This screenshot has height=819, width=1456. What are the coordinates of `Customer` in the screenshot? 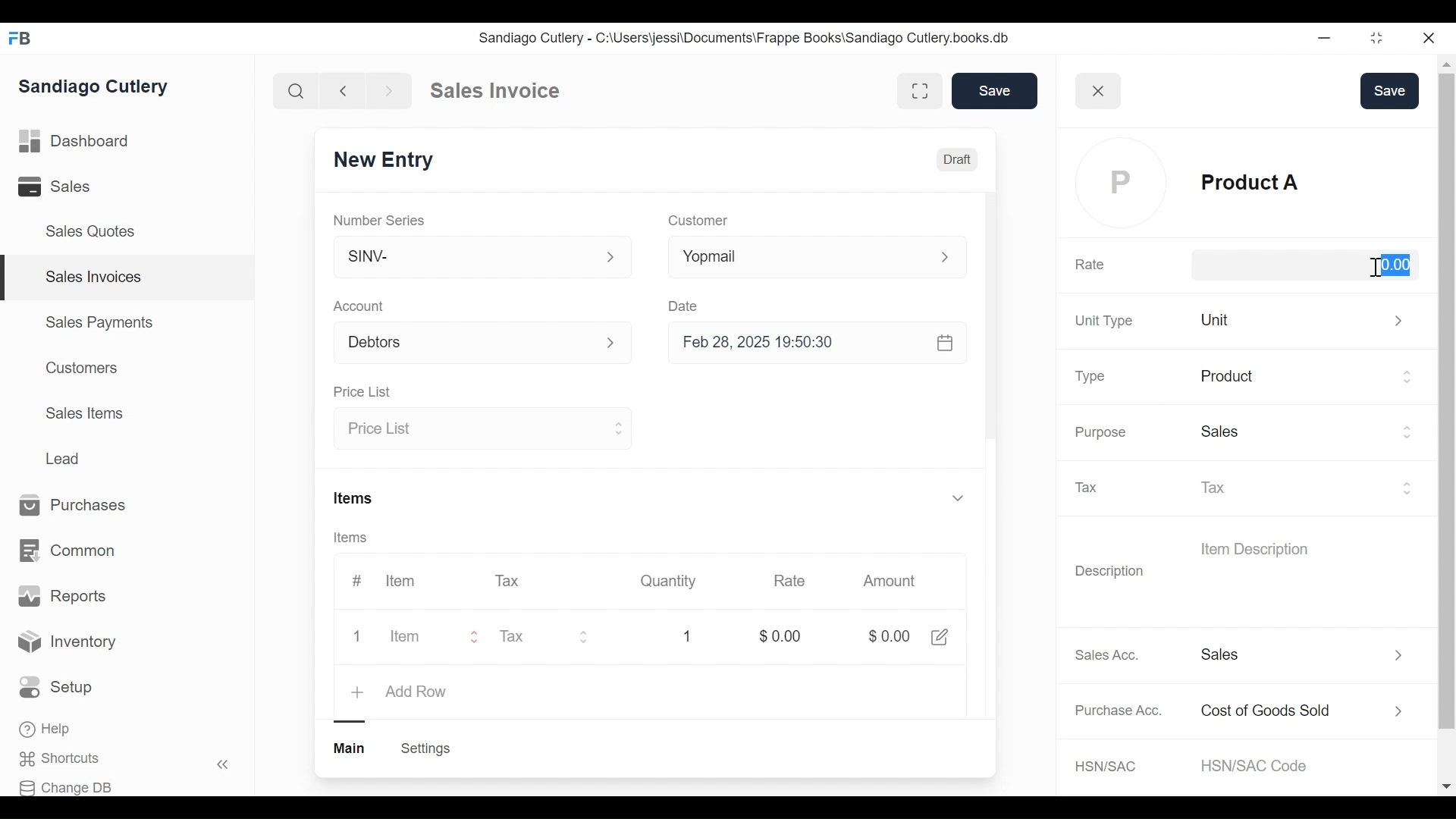 It's located at (703, 220).